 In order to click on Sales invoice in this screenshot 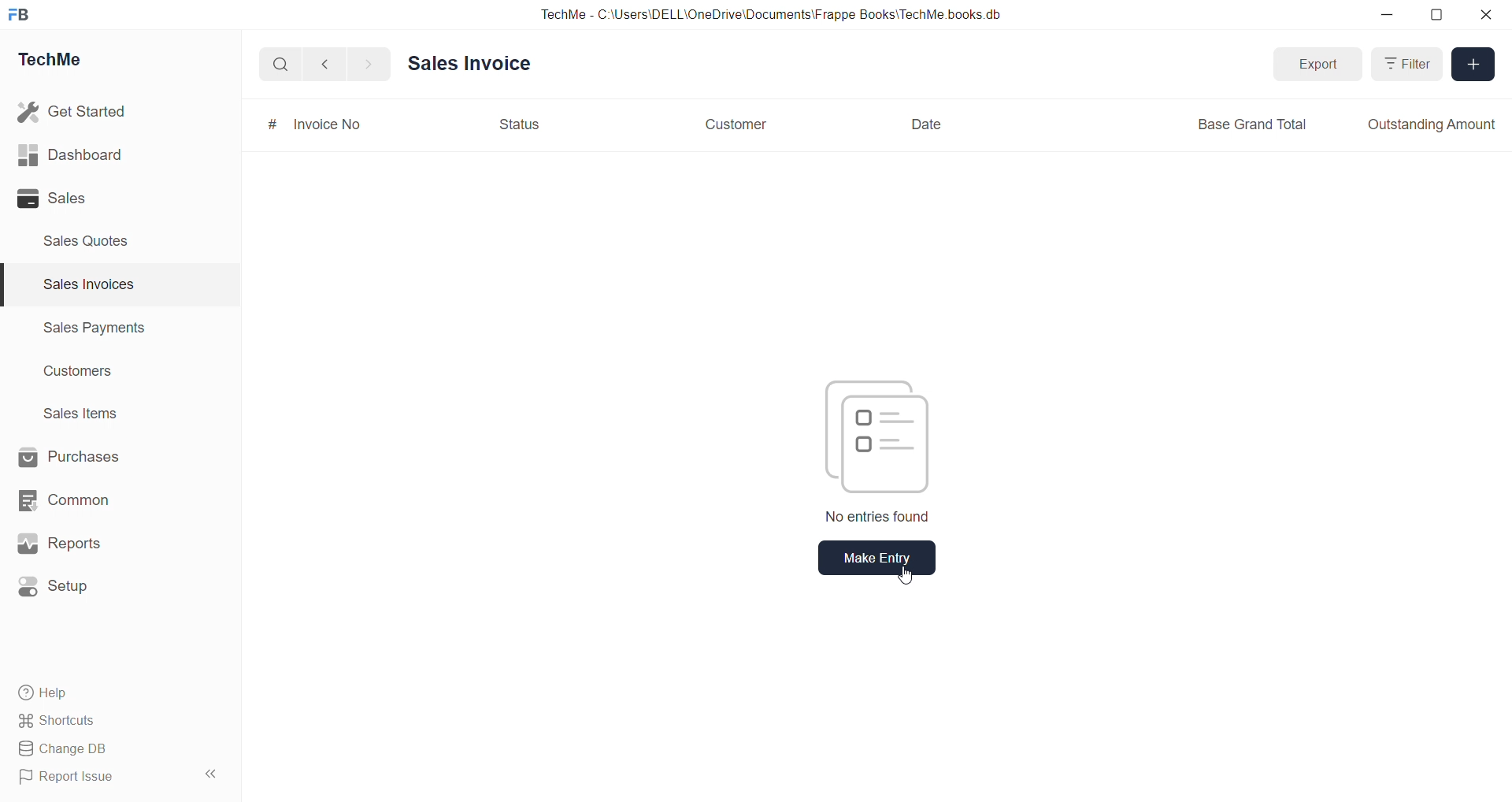, I will do `click(468, 63)`.